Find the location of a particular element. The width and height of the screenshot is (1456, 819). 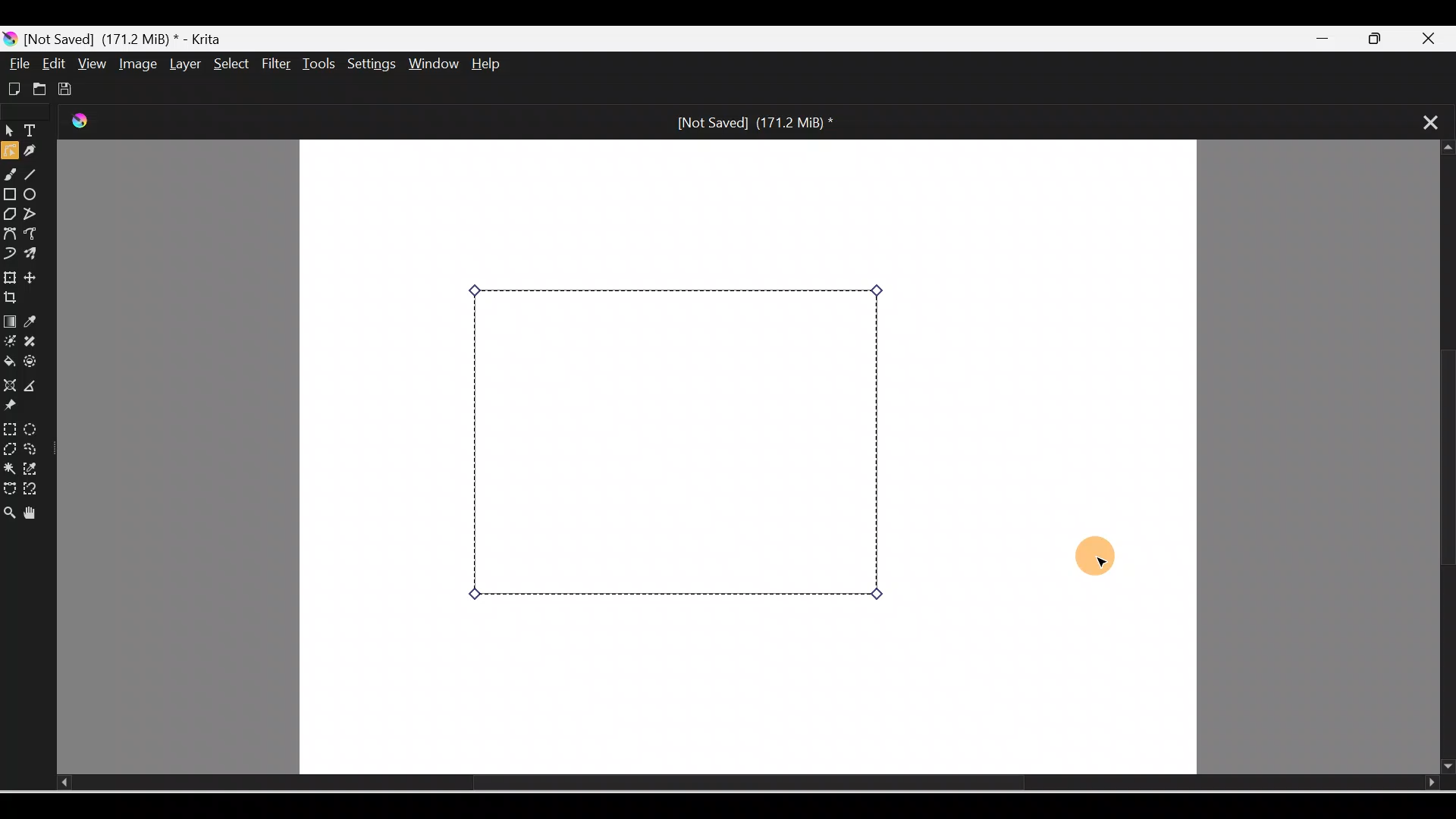

Line is located at coordinates (36, 177).